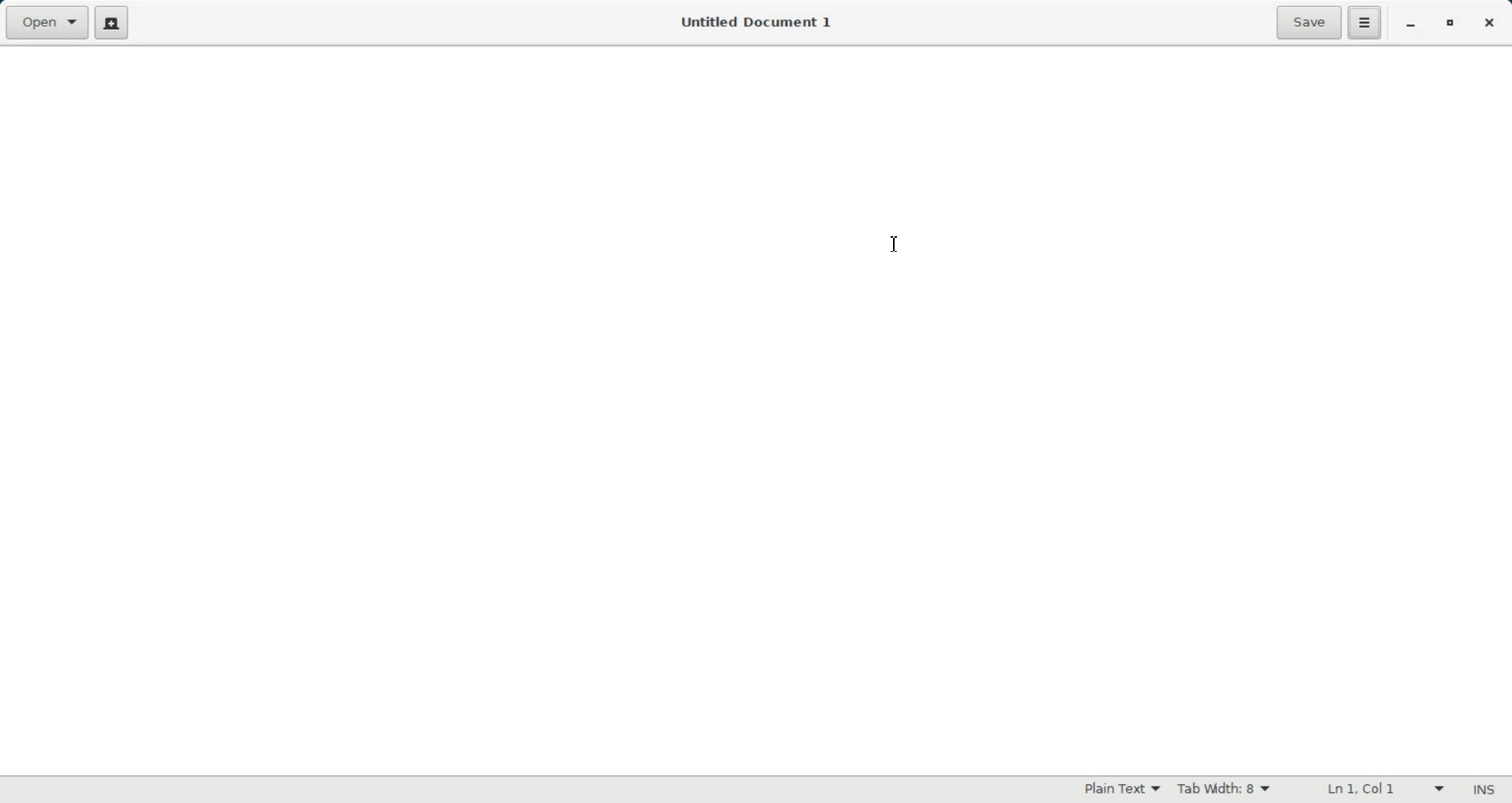  What do you see at coordinates (1373, 790) in the screenshot?
I see `Line Column` at bounding box center [1373, 790].